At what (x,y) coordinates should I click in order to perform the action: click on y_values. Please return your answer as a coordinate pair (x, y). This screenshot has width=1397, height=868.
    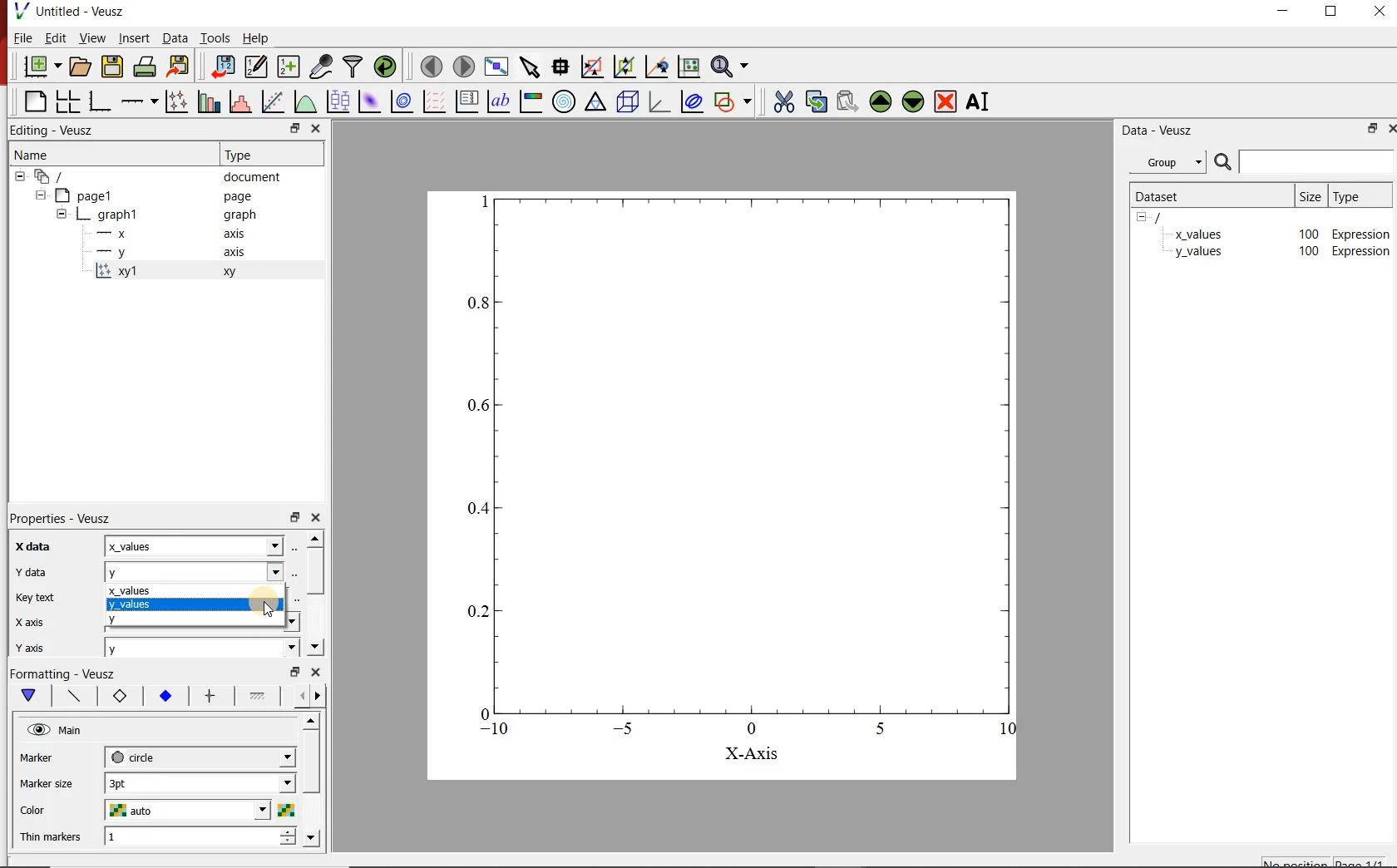
    Looking at the image, I should click on (1198, 253).